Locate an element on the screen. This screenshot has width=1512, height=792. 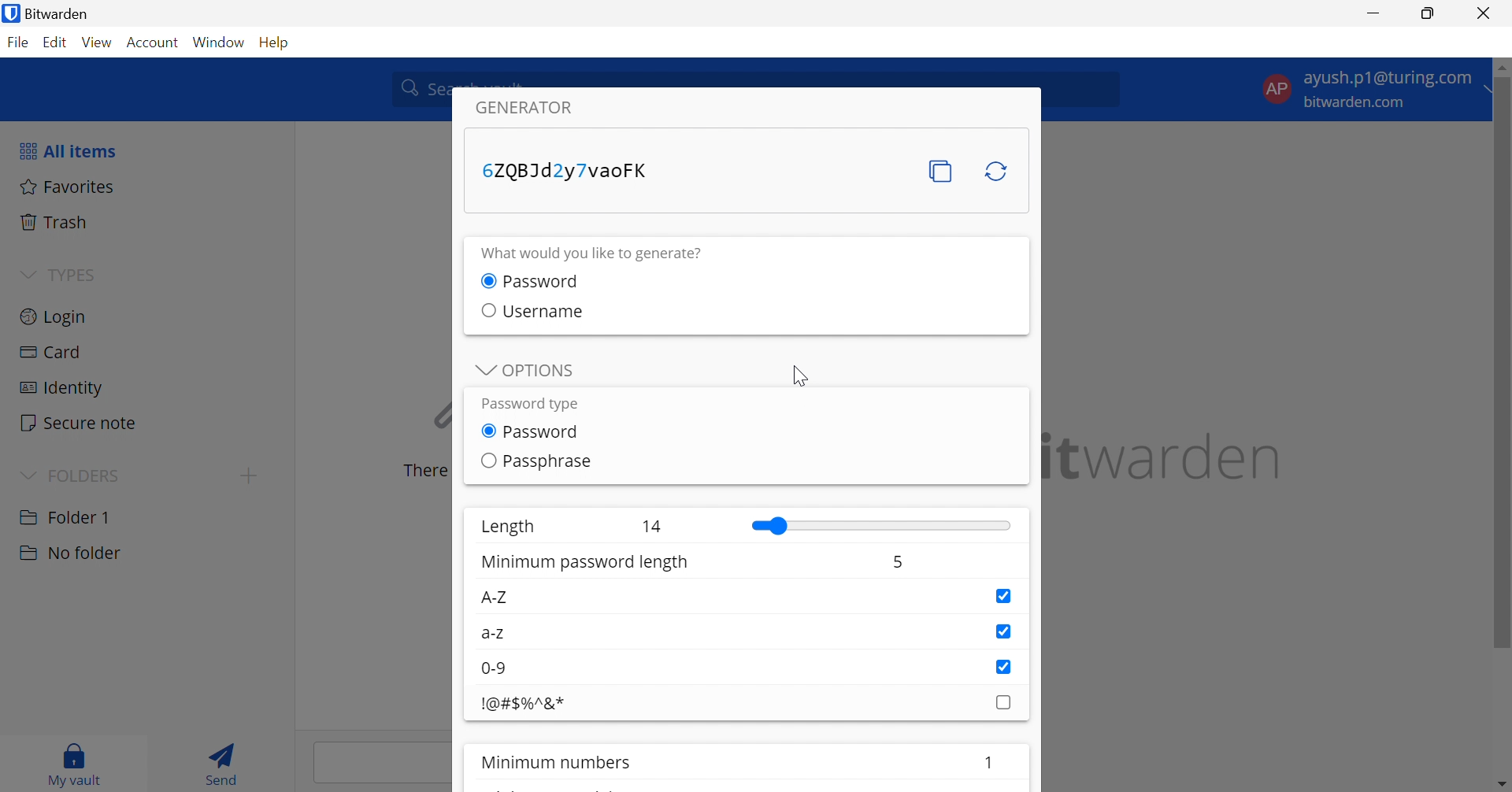
Password is located at coordinates (546, 433).